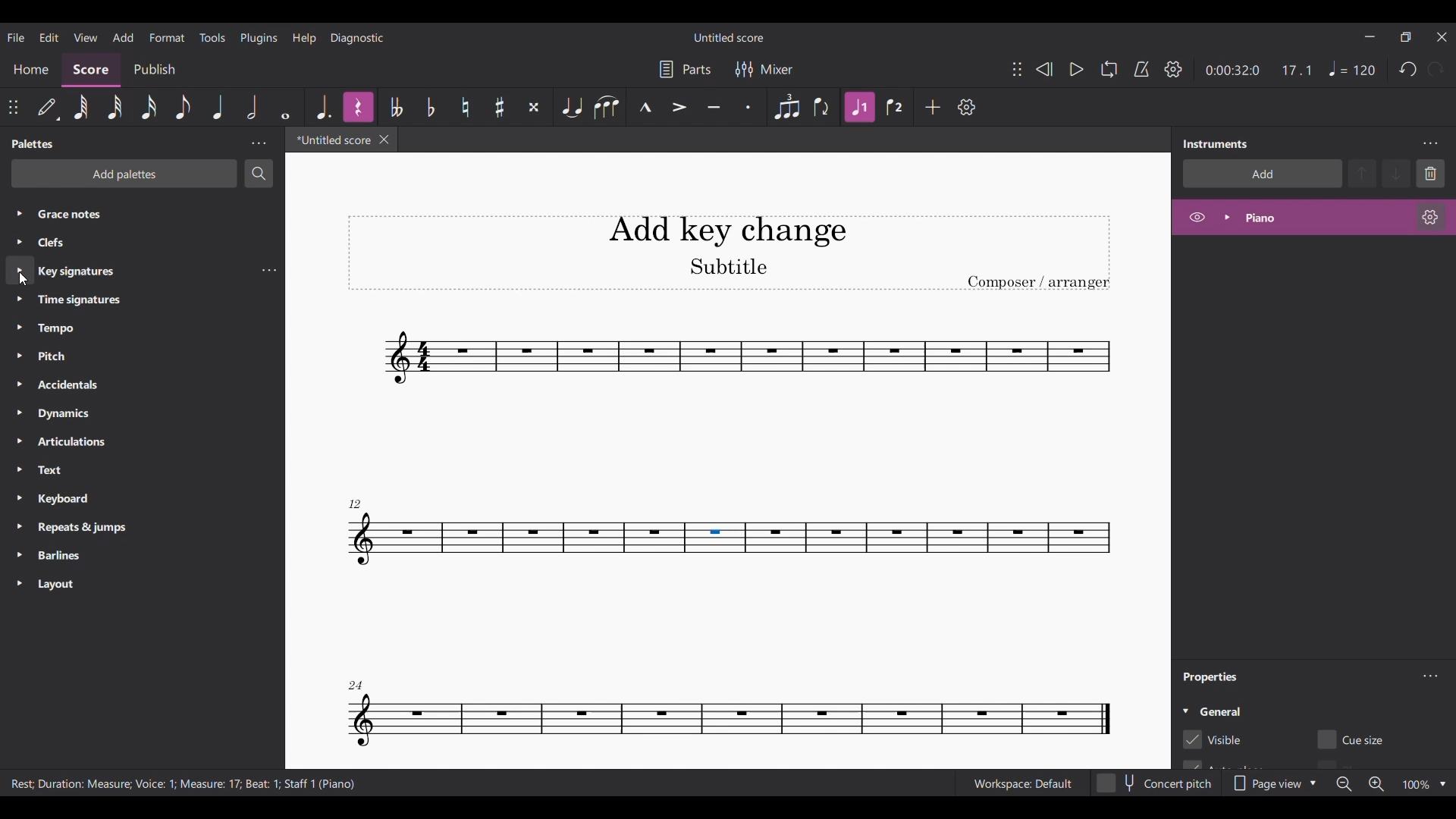 The width and height of the screenshot is (1456, 819). I want to click on Close interface, so click(1442, 37).